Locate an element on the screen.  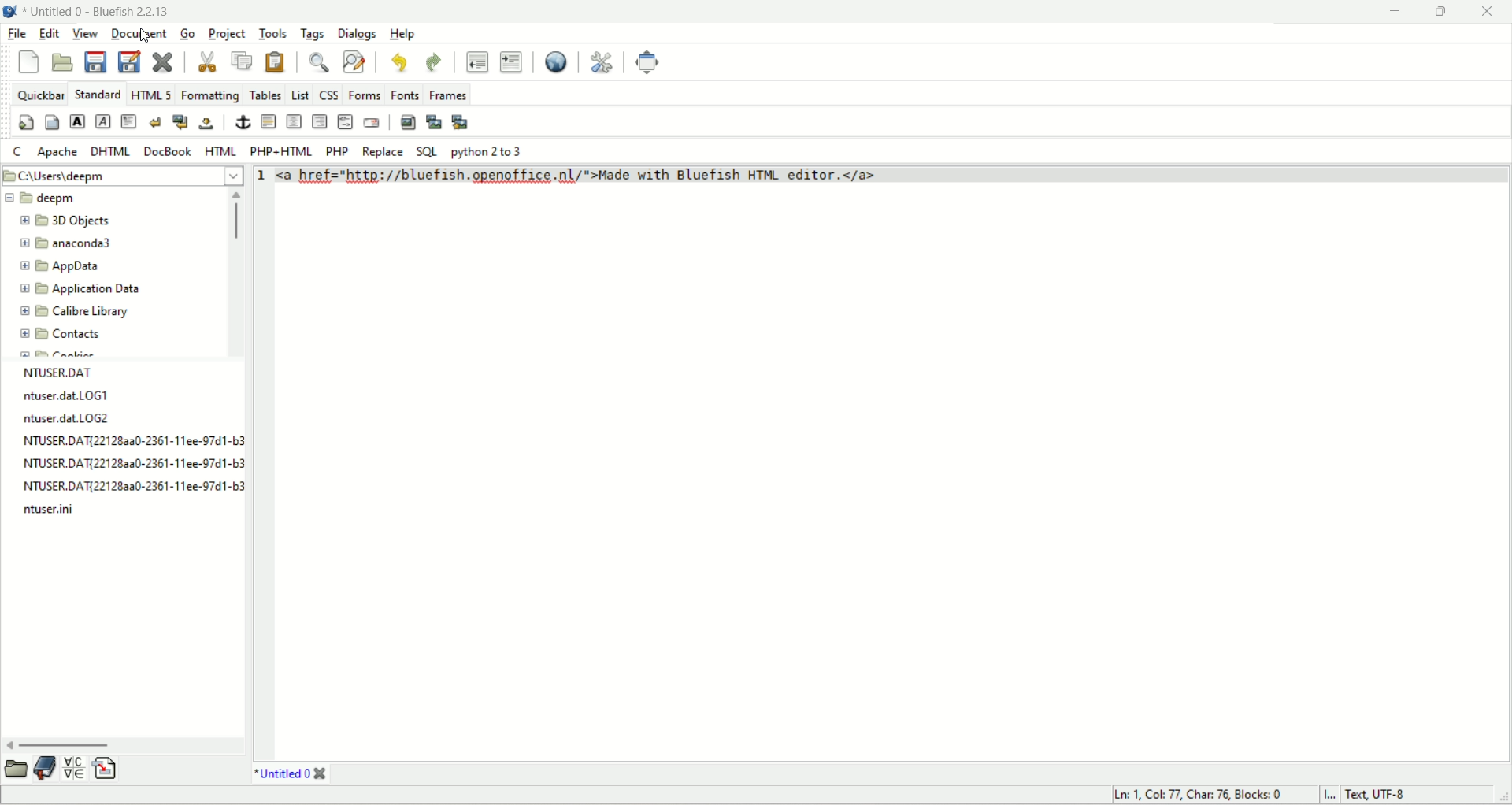
maximize is located at coordinates (1441, 13).